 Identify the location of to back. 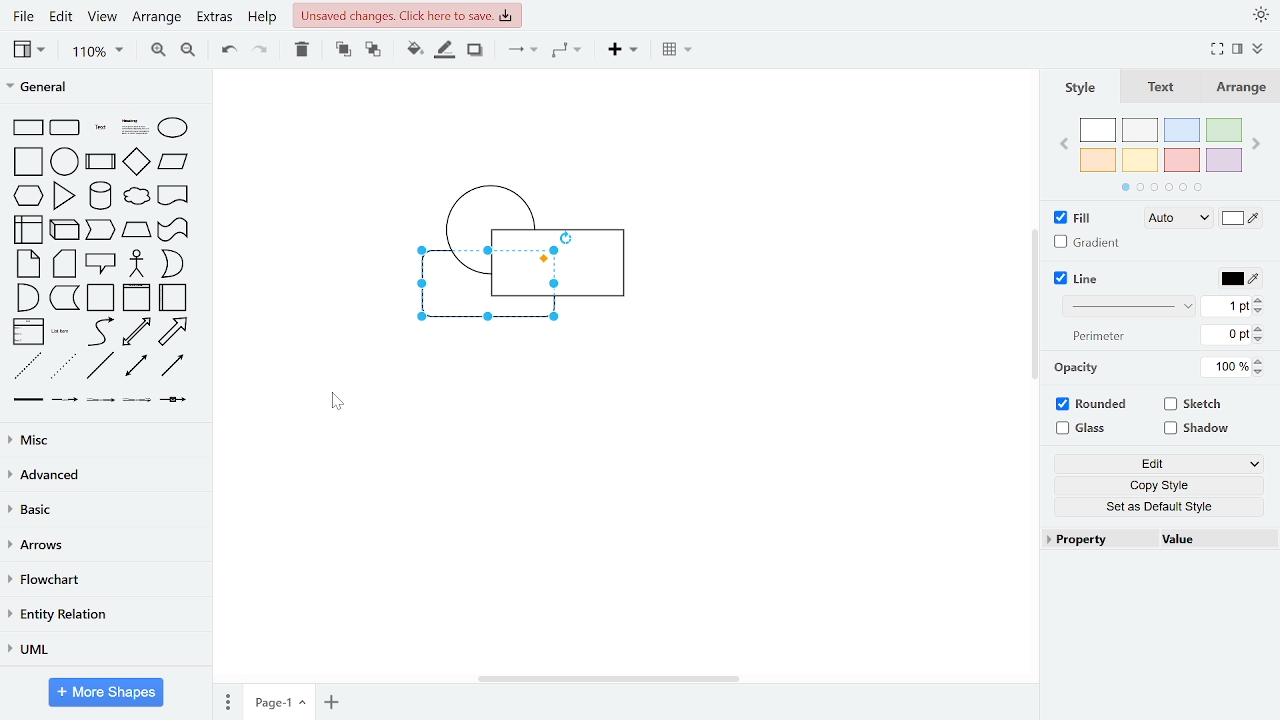
(370, 51).